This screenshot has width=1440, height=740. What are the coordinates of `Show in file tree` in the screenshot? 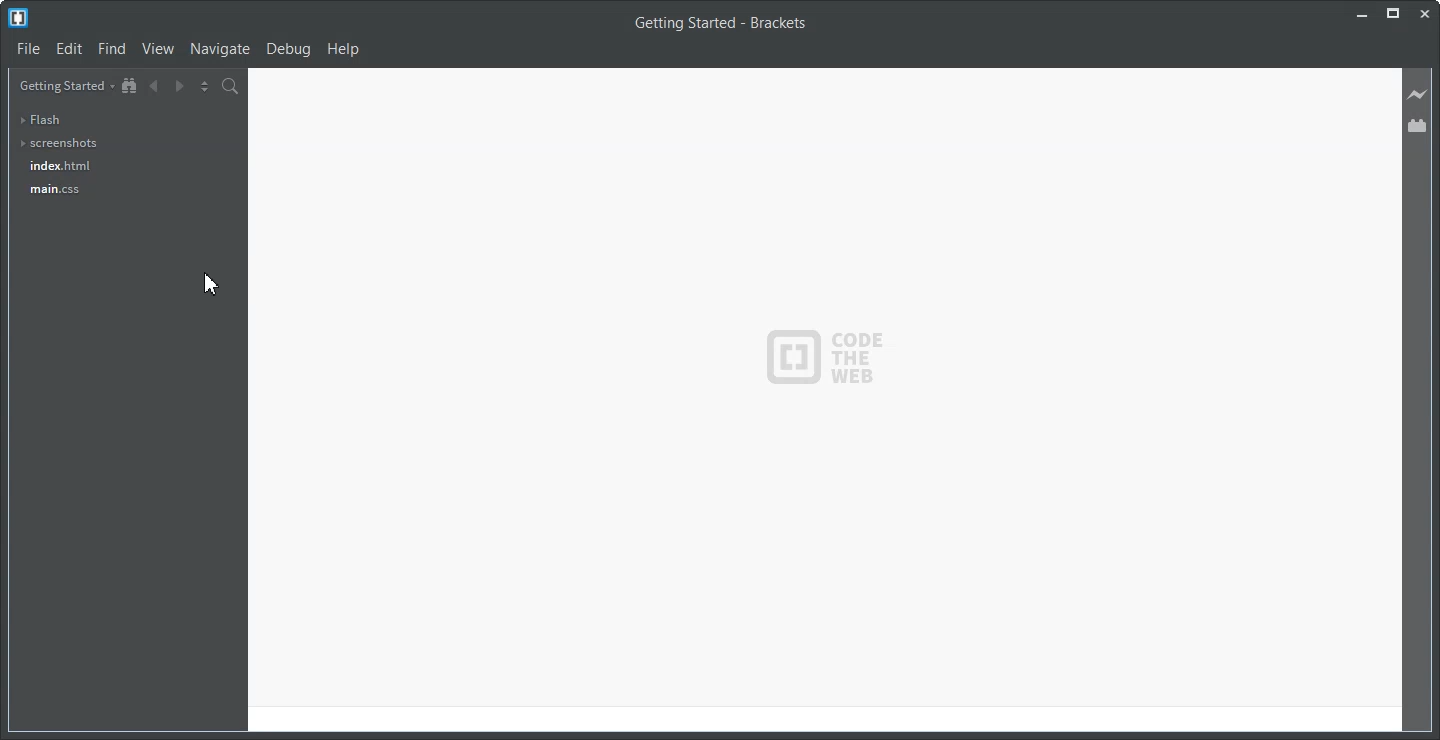 It's located at (130, 86).